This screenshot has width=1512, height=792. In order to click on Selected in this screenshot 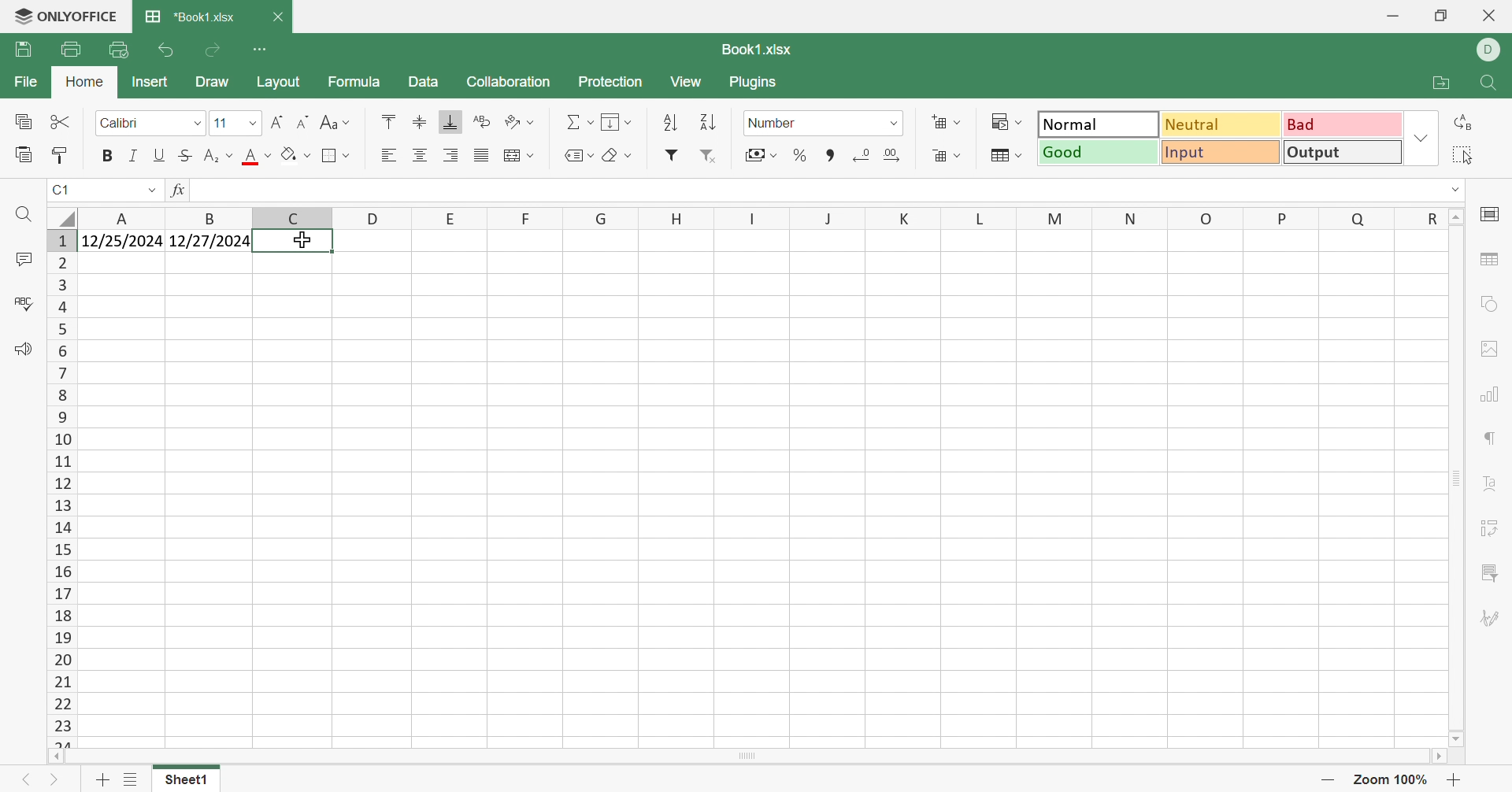, I will do `click(306, 240)`.